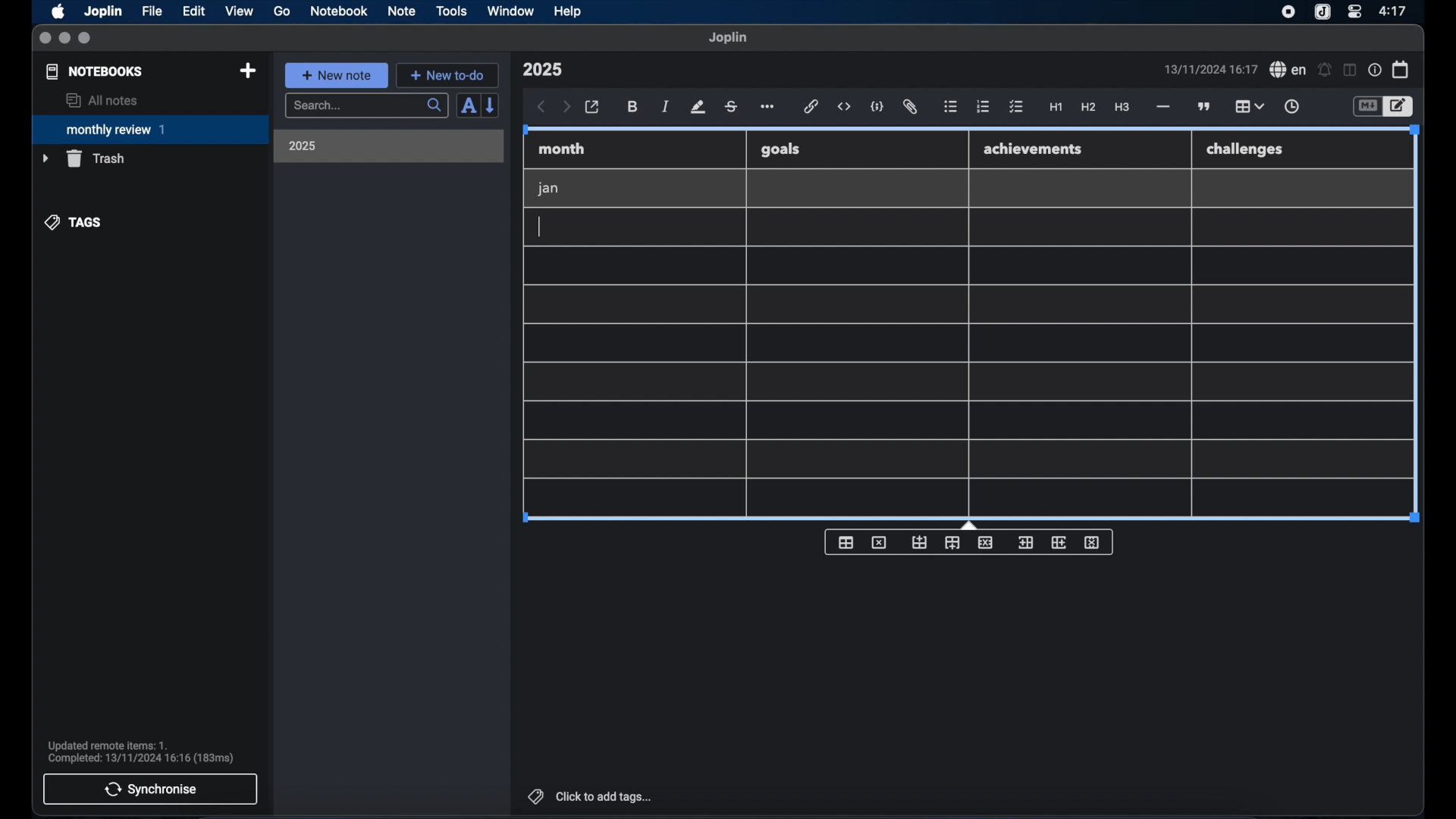 This screenshot has width=1456, height=819. Describe the element at coordinates (1162, 107) in the screenshot. I see `horizontal rule` at that location.